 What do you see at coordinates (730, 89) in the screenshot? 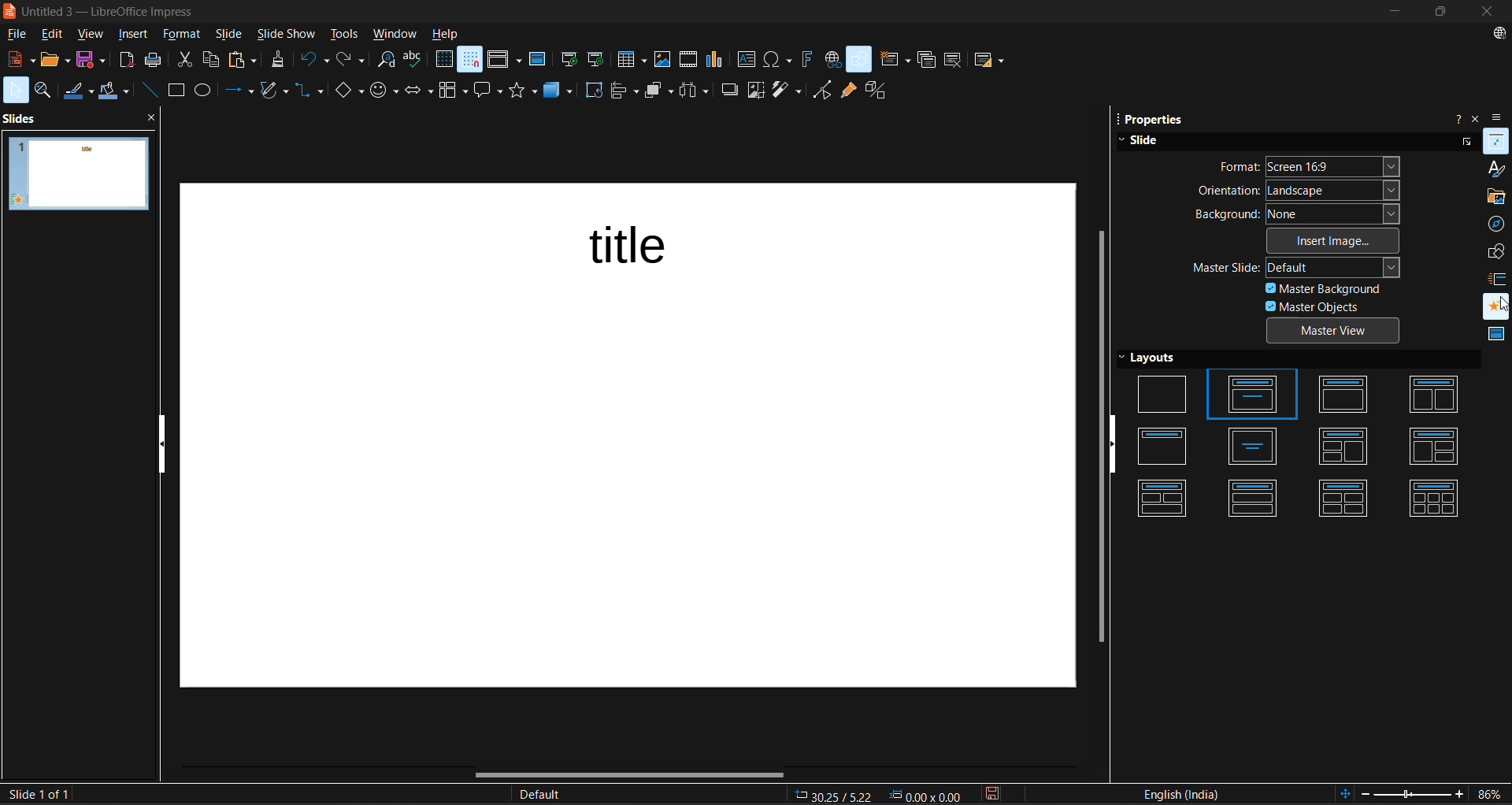
I see `shadow` at bounding box center [730, 89].